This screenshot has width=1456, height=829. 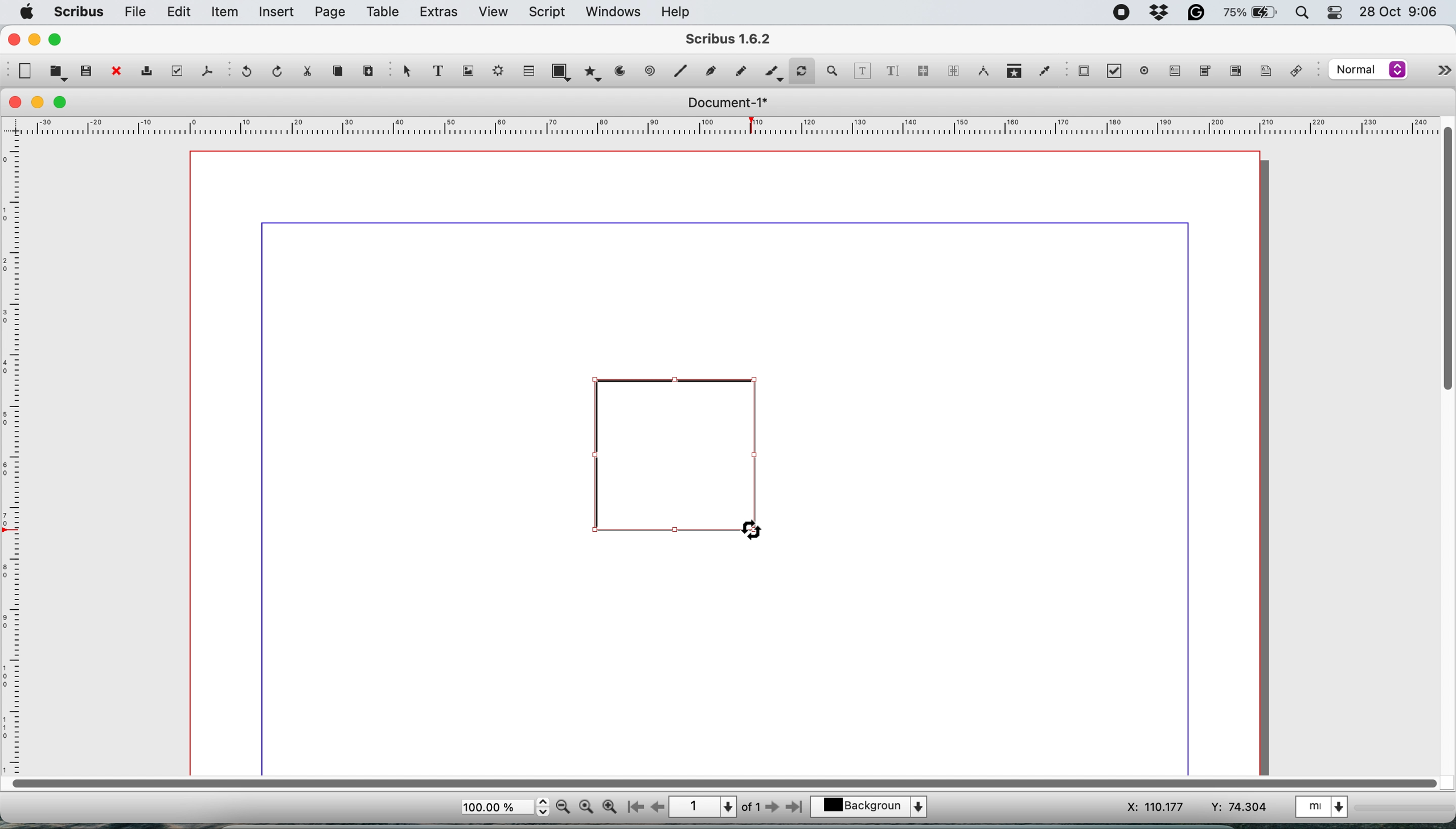 I want to click on object to rotate, so click(x=676, y=463).